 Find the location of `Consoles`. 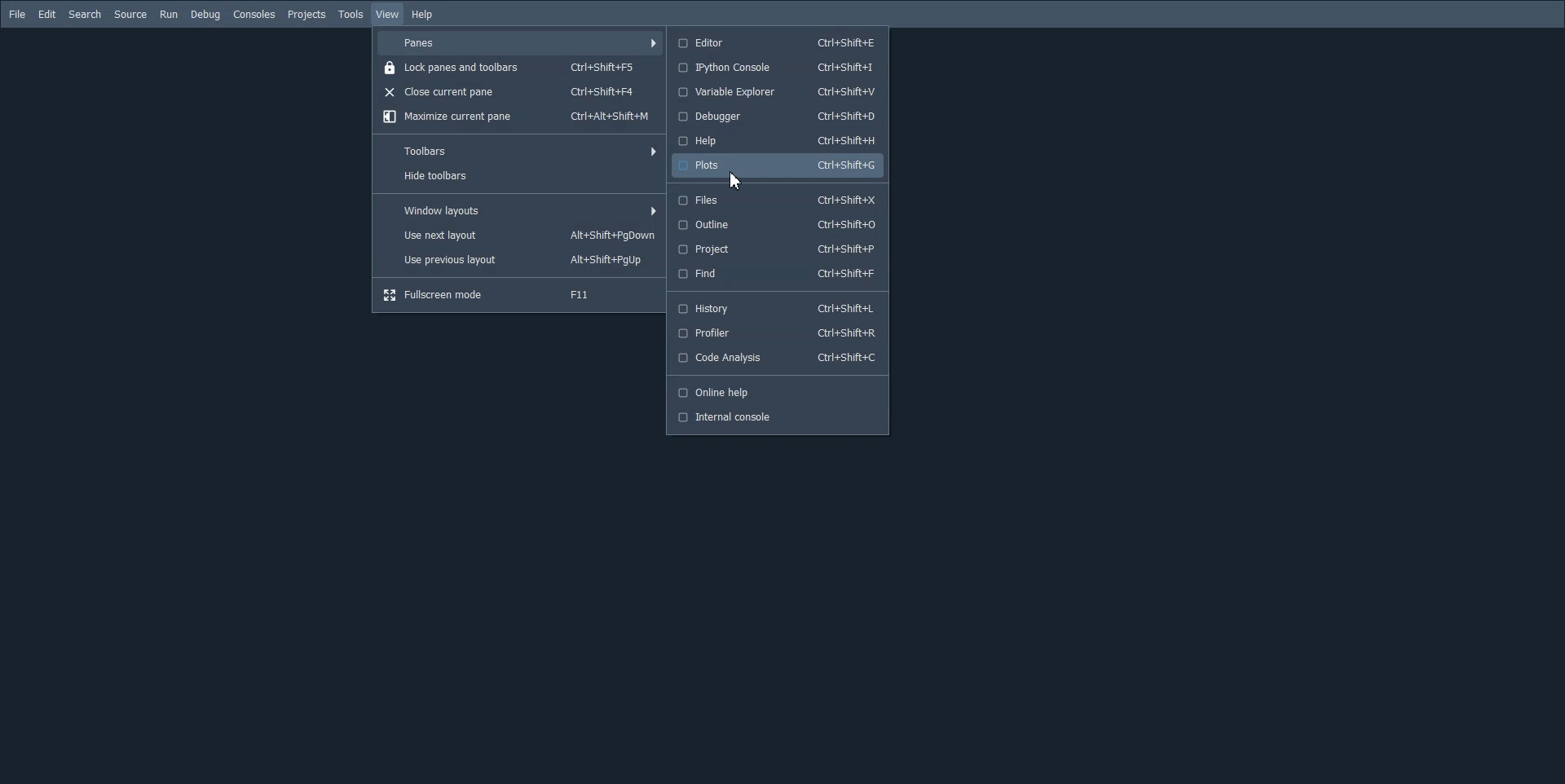

Consoles is located at coordinates (253, 14).